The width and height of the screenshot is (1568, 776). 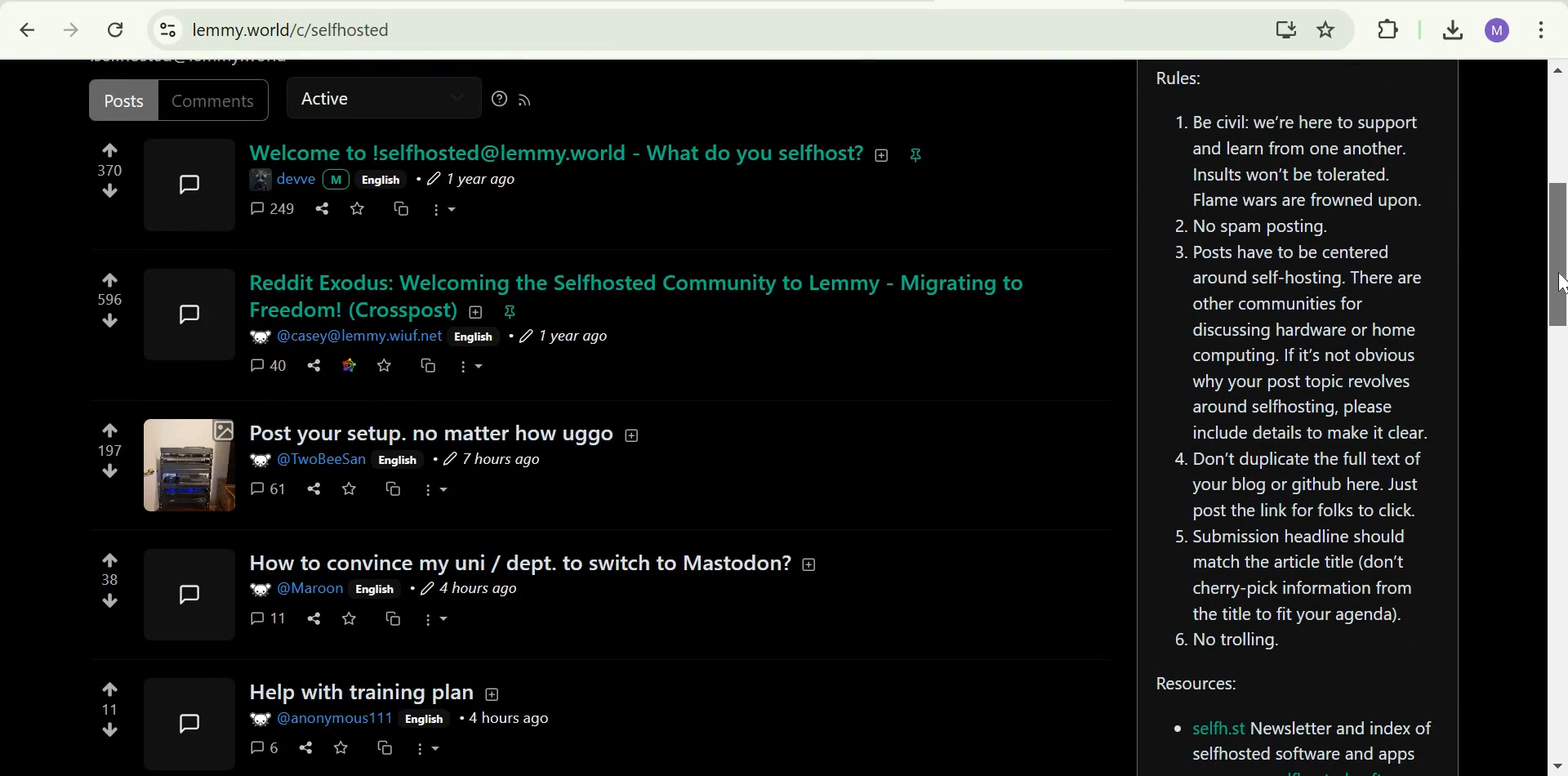 What do you see at coordinates (435, 491) in the screenshot?
I see `More` at bounding box center [435, 491].